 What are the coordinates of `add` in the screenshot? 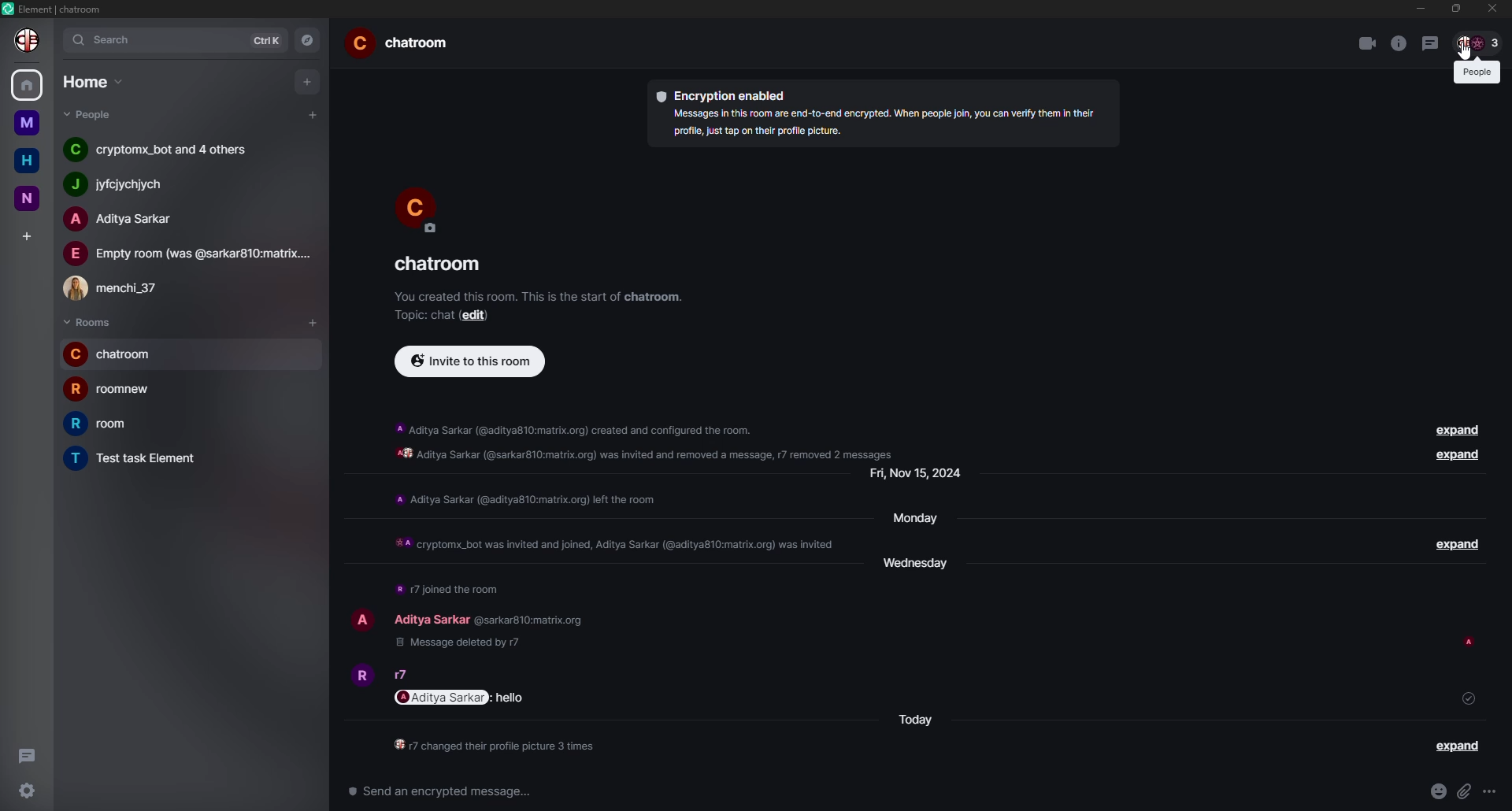 It's located at (28, 235).